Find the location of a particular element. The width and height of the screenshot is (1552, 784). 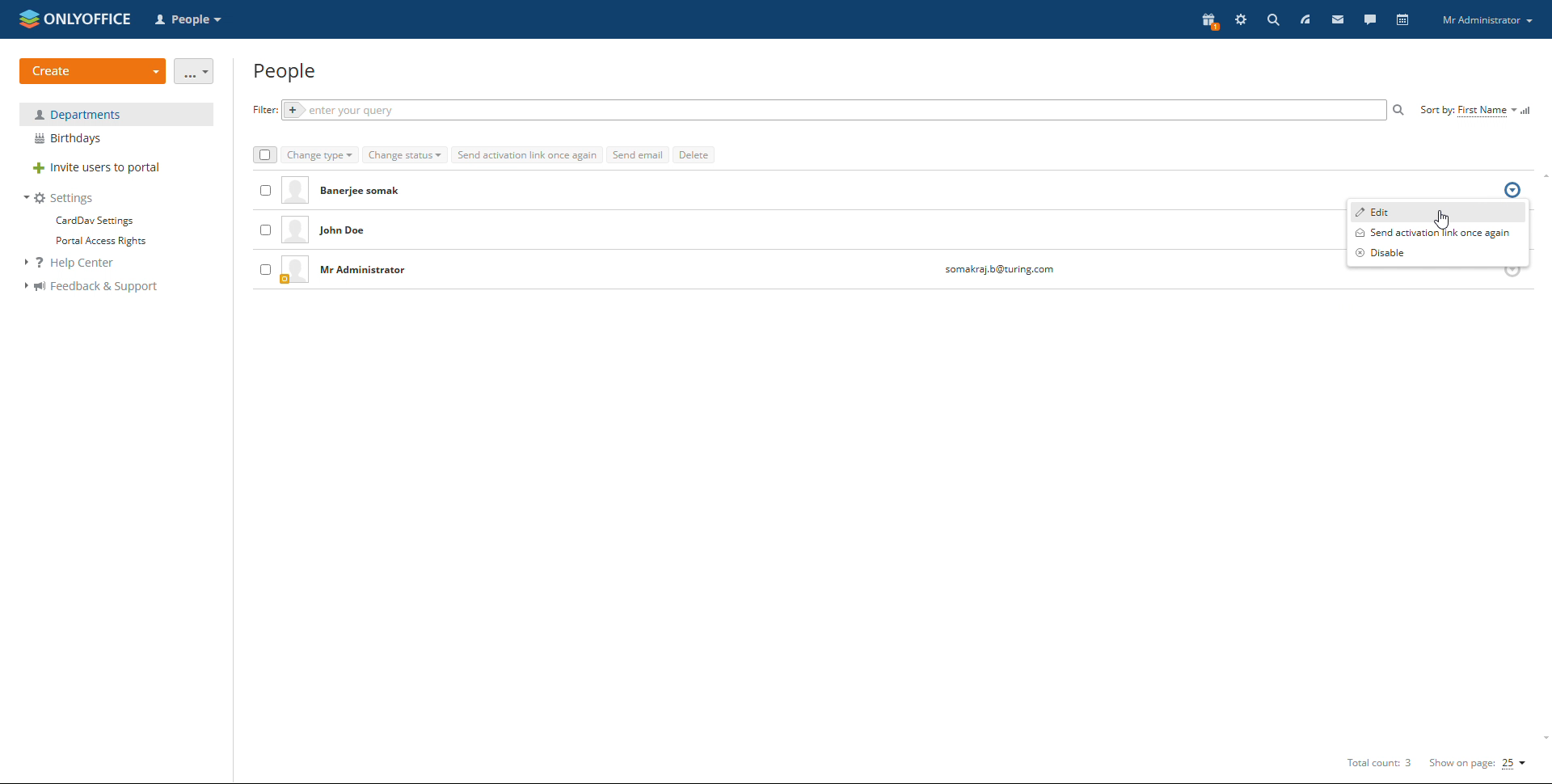

enter your query is located at coordinates (831, 111).